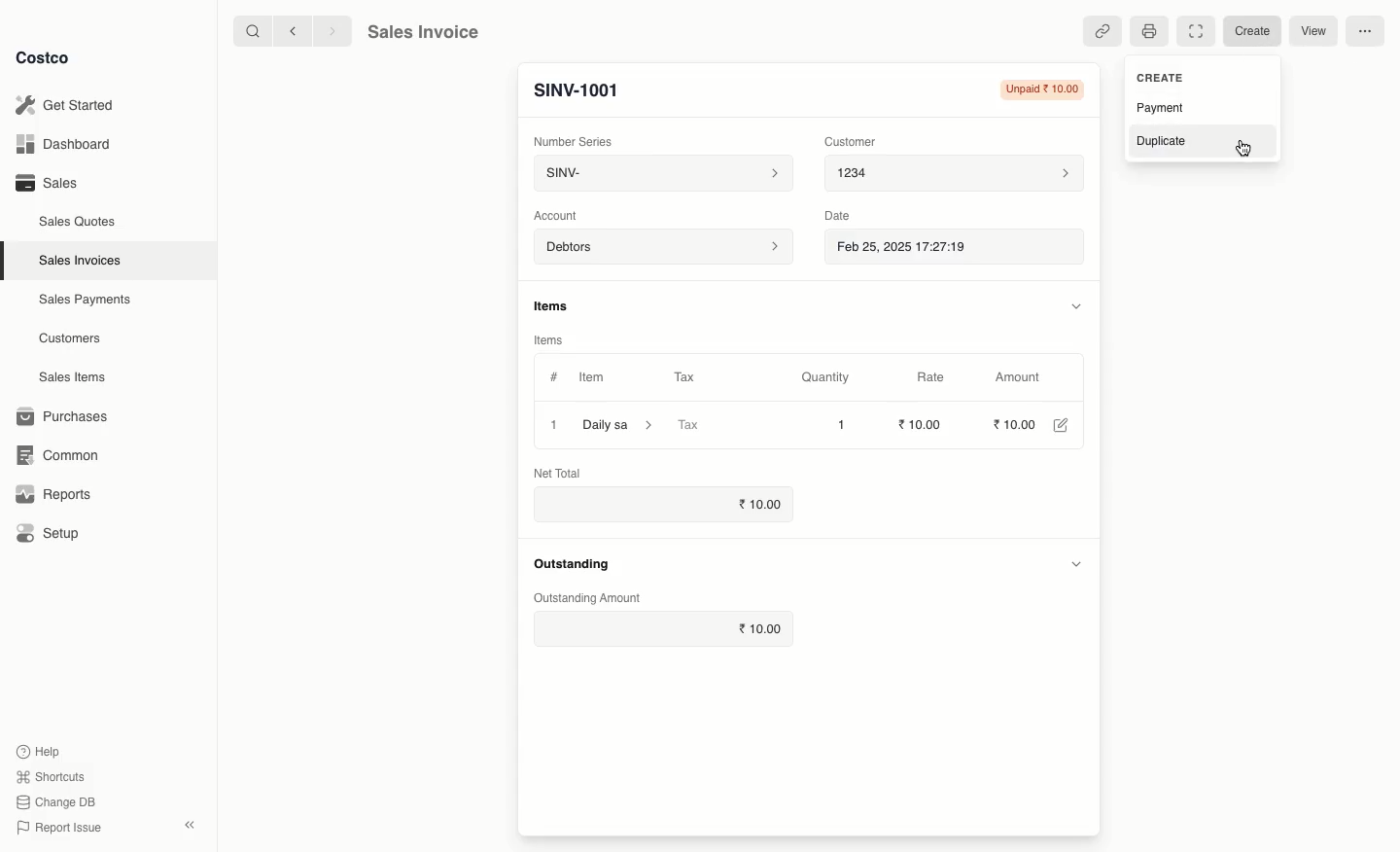  What do you see at coordinates (68, 337) in the screenshot?
I see `Customers` at bounding box center [68, 337].